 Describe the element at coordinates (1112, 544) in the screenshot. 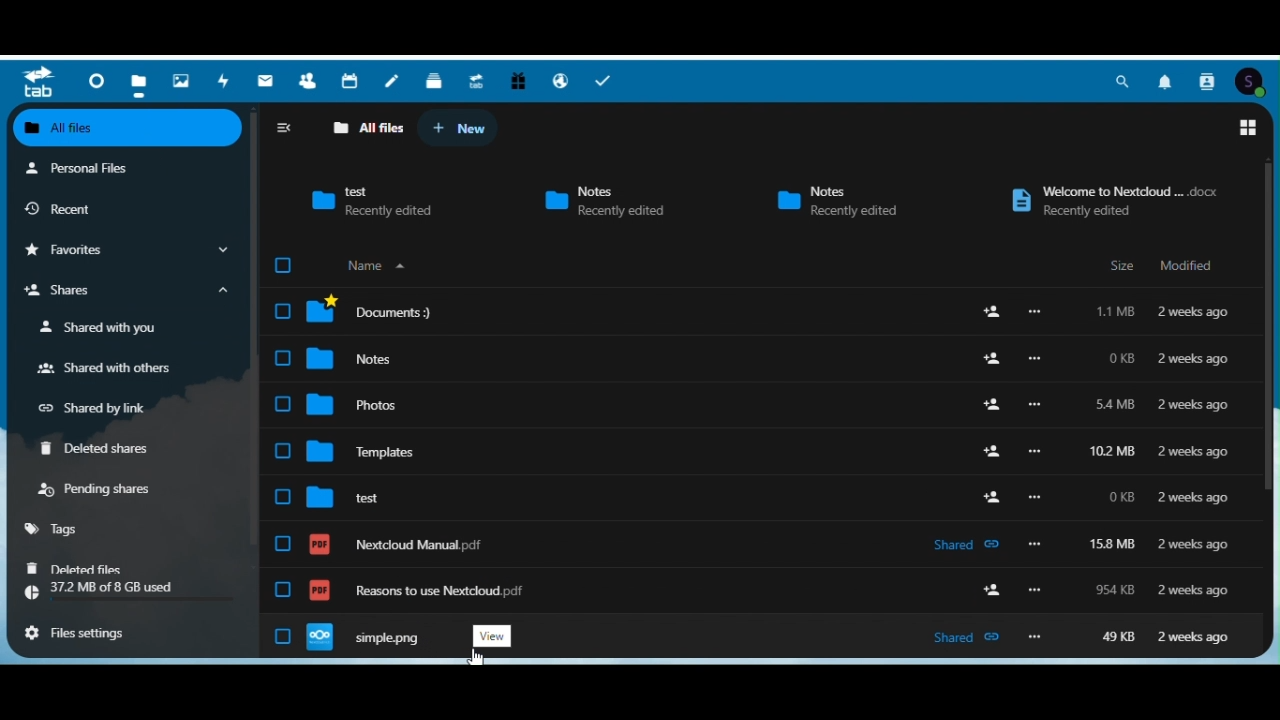

I see `size` at that location.